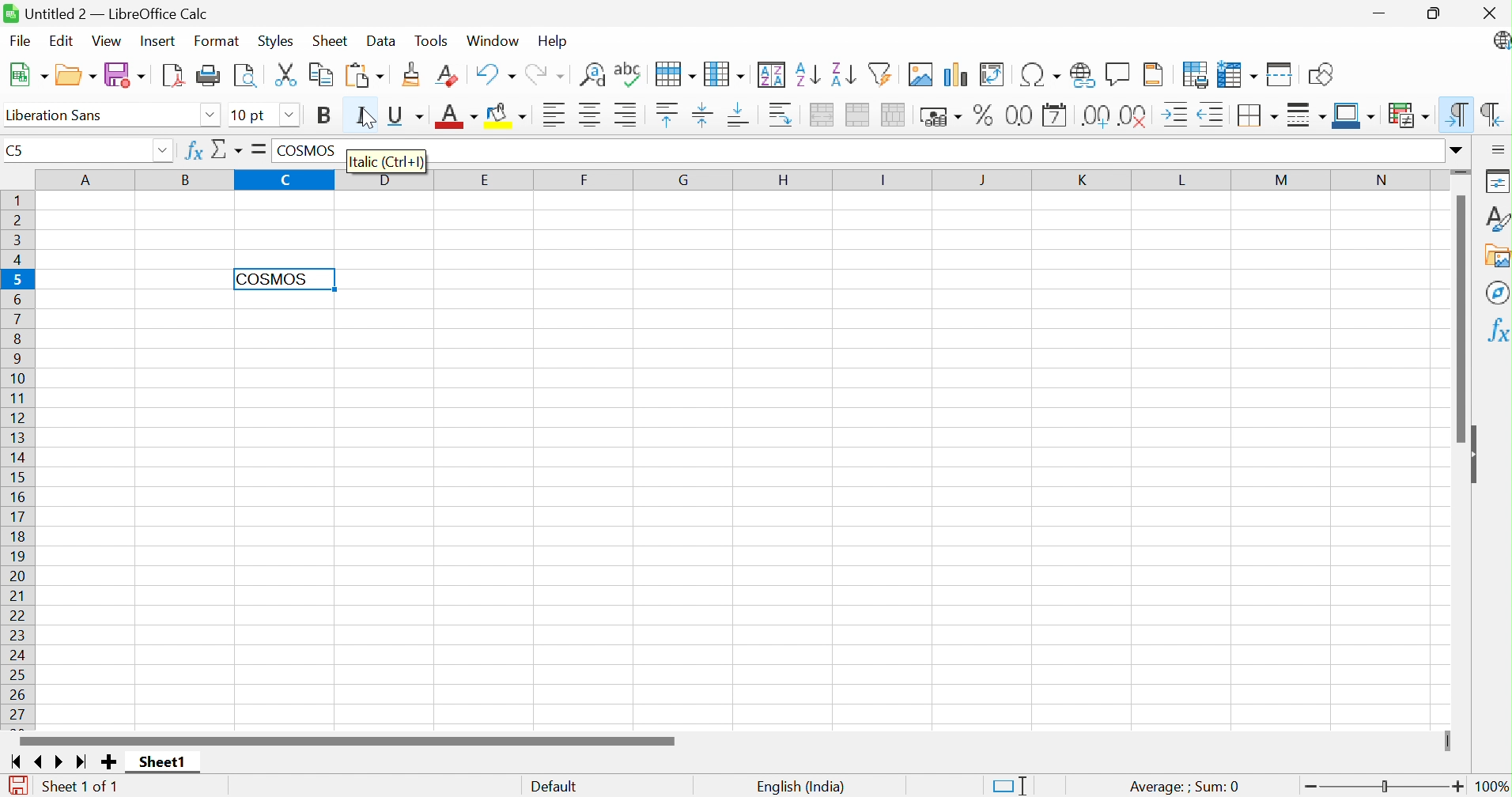  What do you see at coordinates (508, 113) in the screenshot?
I see `Background color` at bounding box center [508, 113].